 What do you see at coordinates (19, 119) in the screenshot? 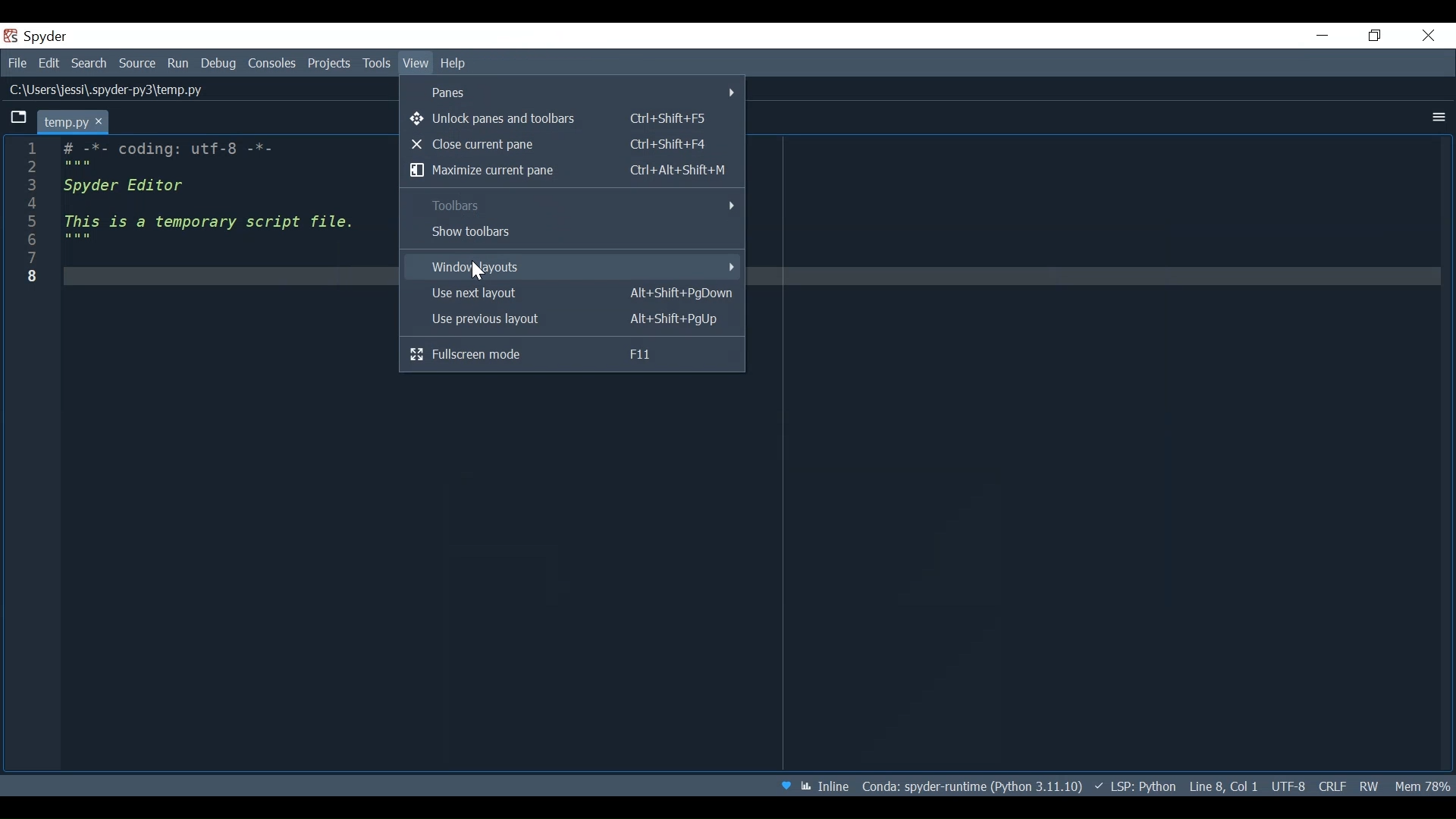
I see `Browse Tab` at bounding box center [19, 119].